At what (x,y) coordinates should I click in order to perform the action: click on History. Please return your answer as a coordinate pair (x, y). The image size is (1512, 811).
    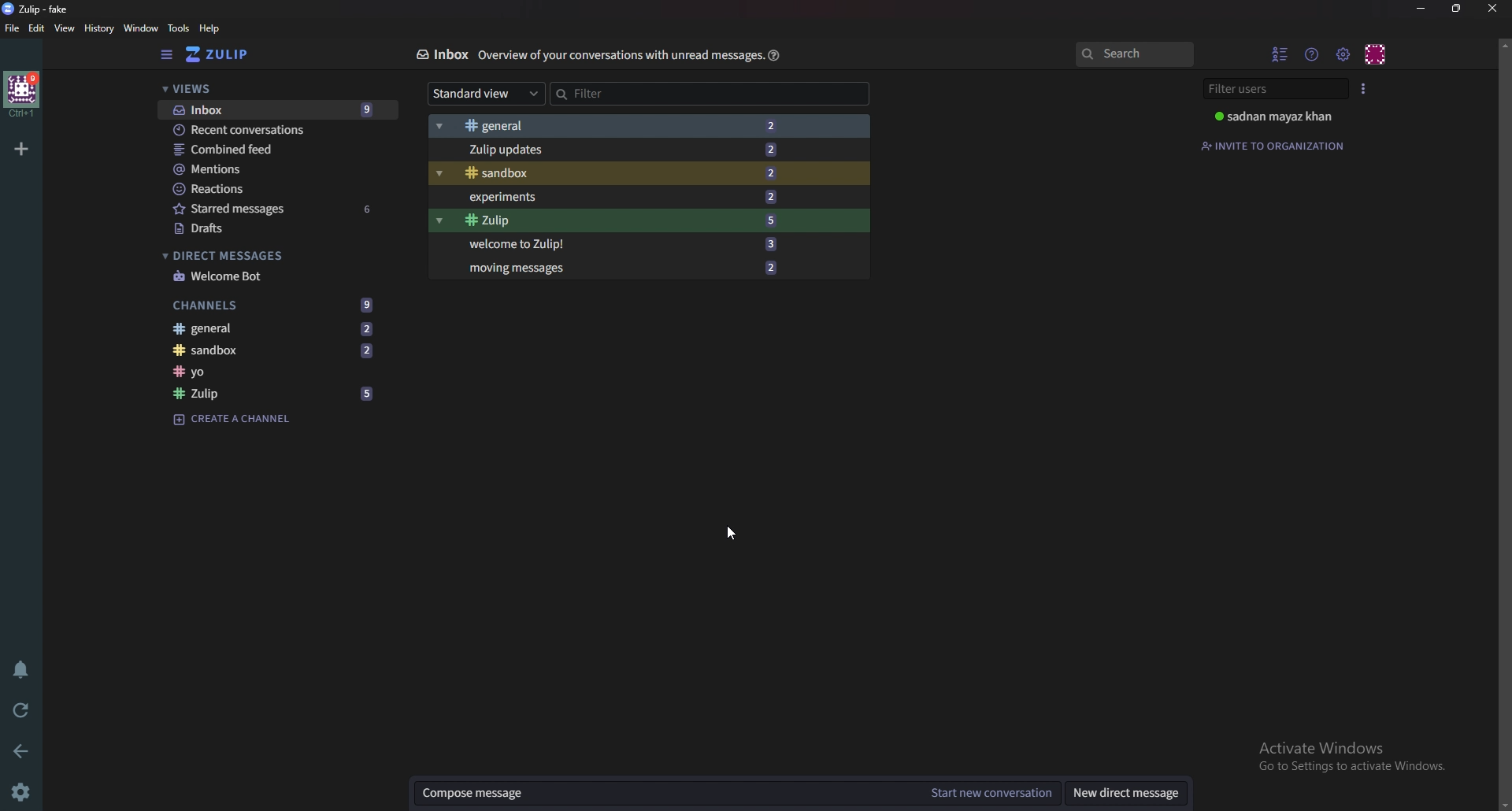
    Looking at the image, I should click on (99, 29).